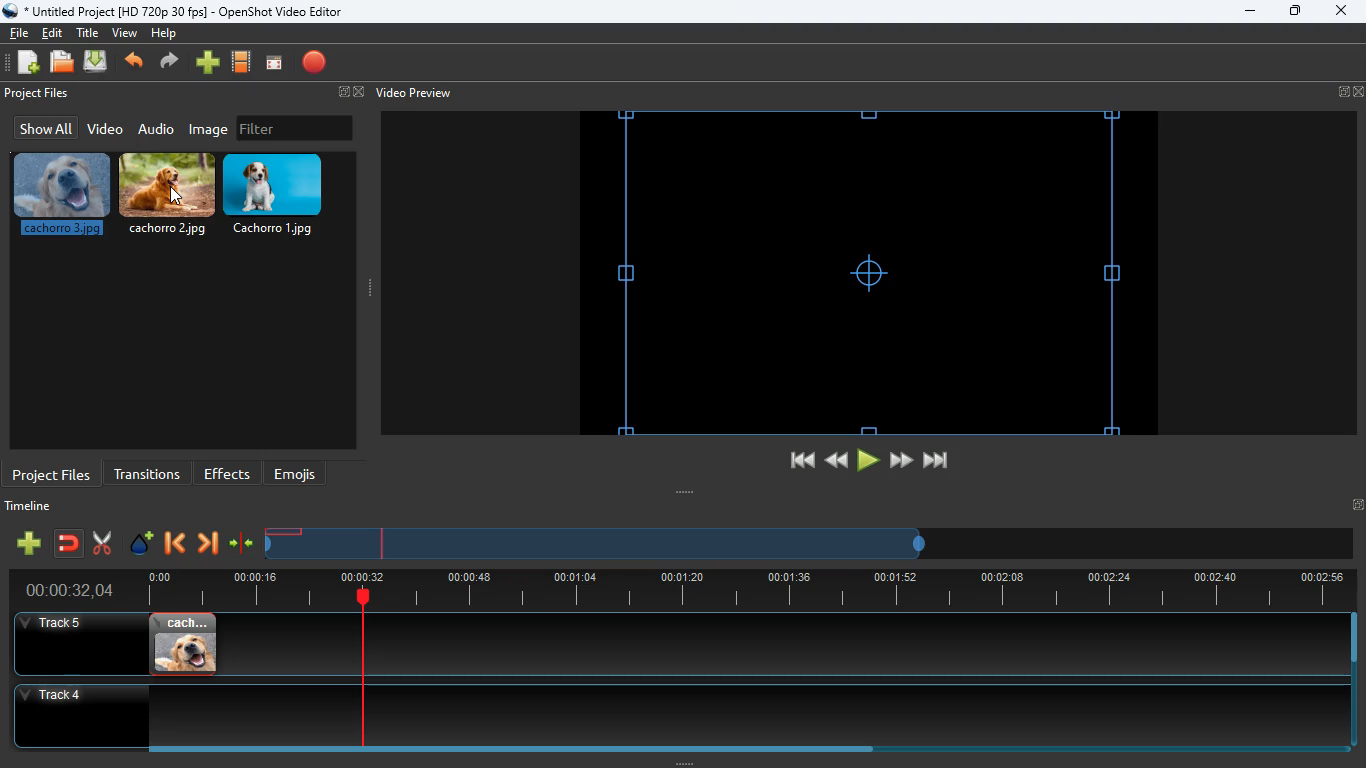  Describe the element at coordinates (412, 93) in the screenshot. I see `video preview` at that location.